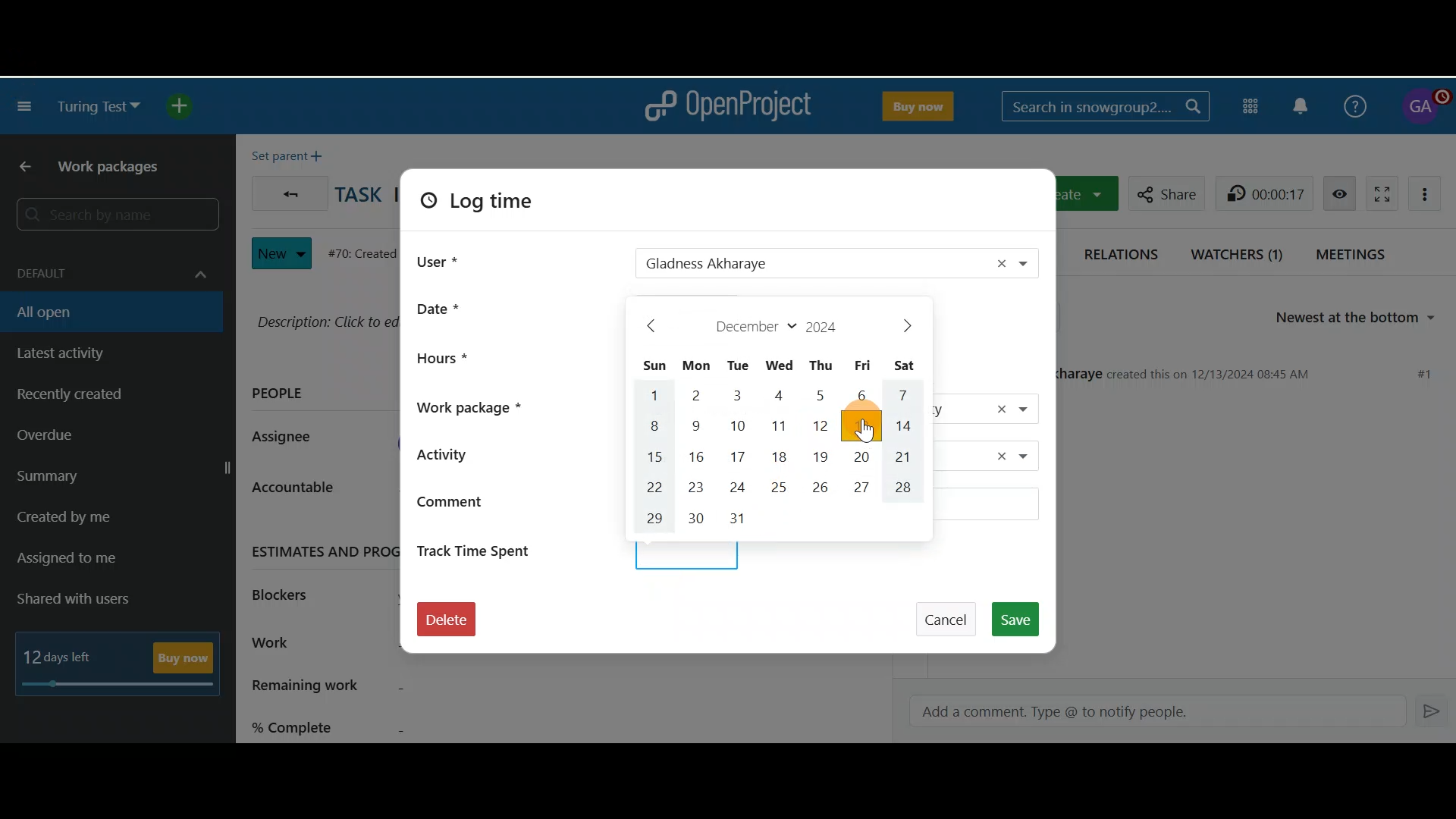  What do you see at coordinates (1268, 193) in the screenshot?
I see `00:00:06` at bounding box center [1268, 193].